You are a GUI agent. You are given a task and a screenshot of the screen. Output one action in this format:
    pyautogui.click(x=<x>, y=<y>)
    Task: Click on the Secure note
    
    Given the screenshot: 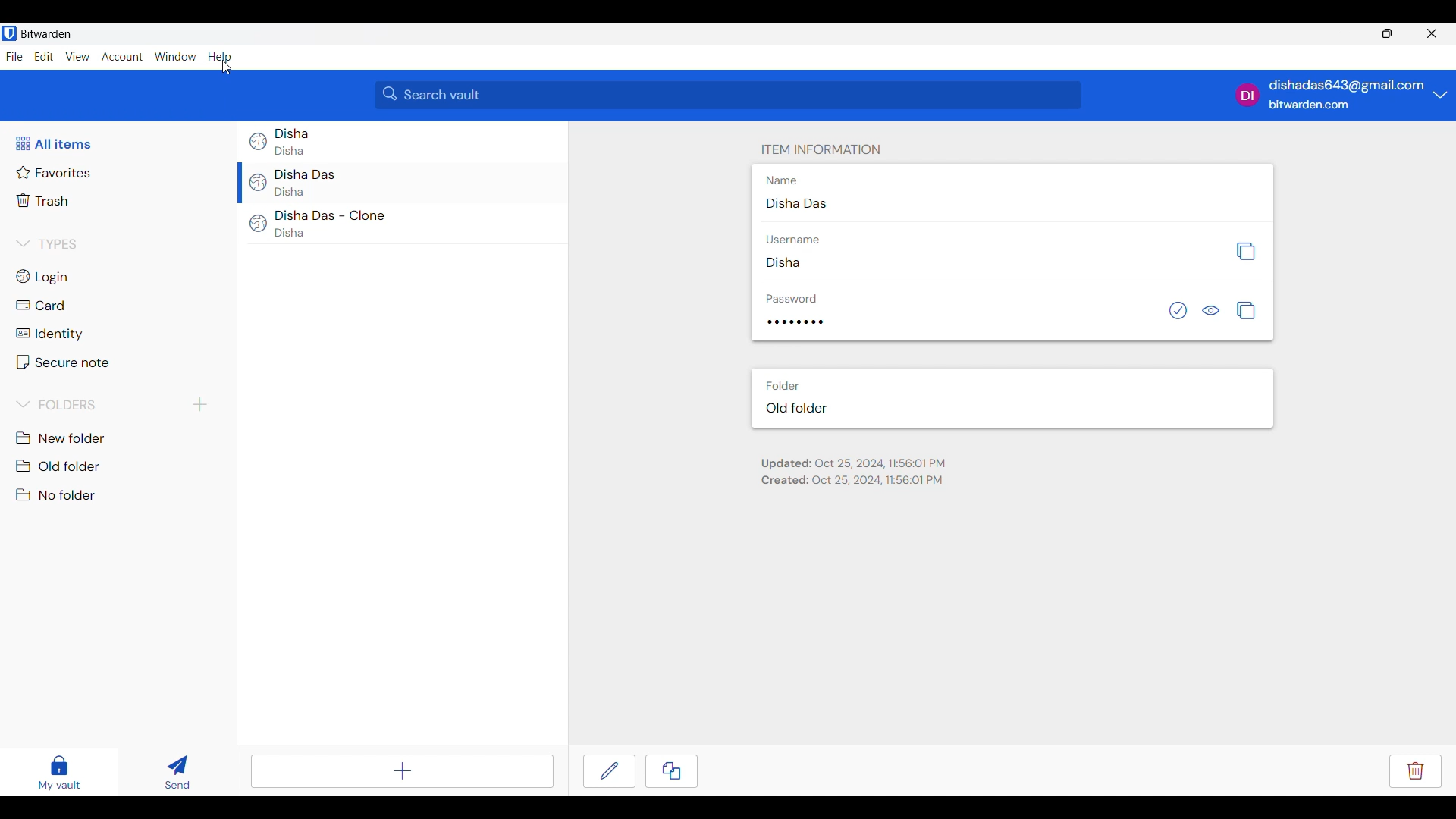 What is the action you would take?
    pyautogui.click(x=63, y=362)
    